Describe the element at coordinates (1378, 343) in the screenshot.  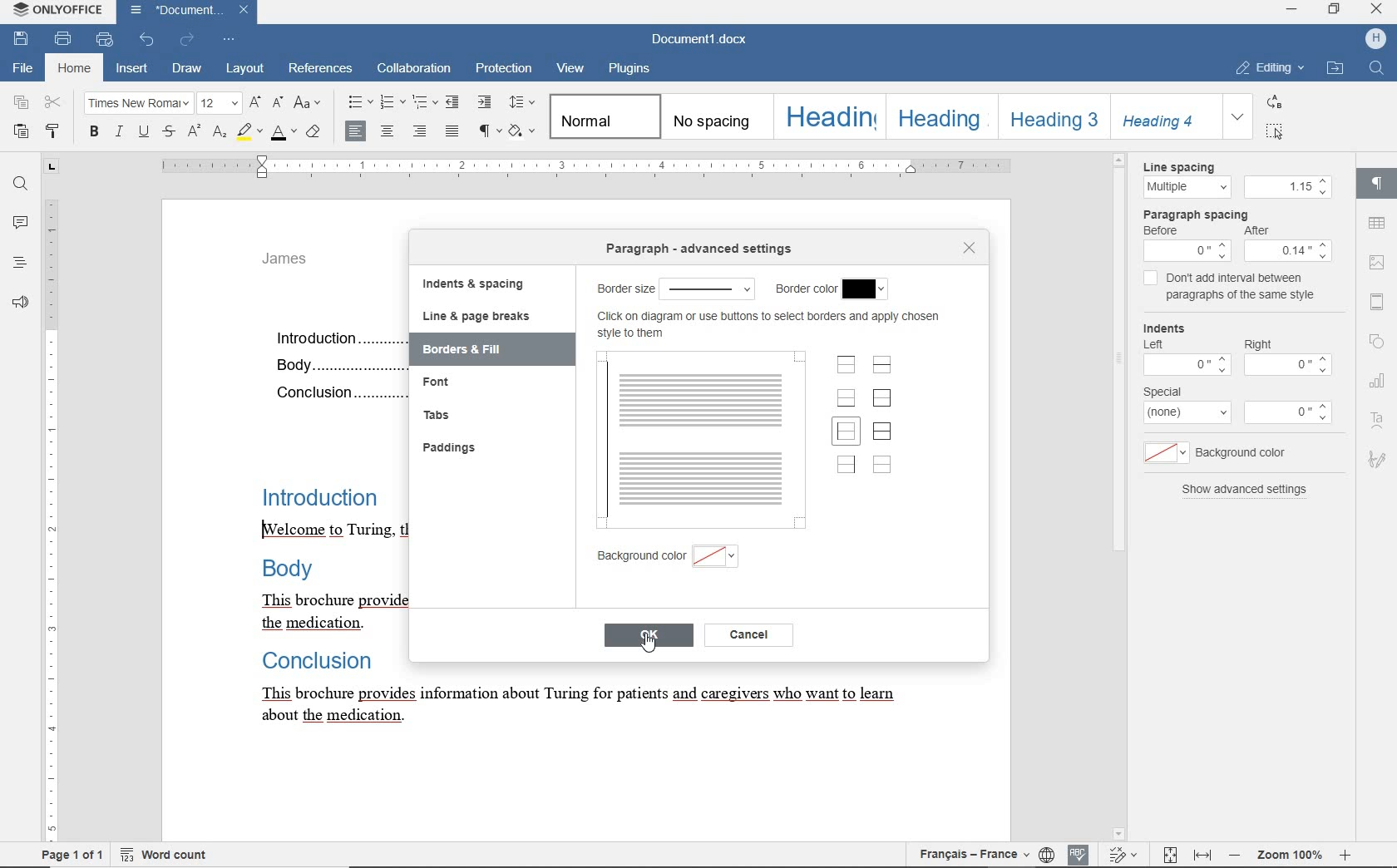
I see `shape` at that location.